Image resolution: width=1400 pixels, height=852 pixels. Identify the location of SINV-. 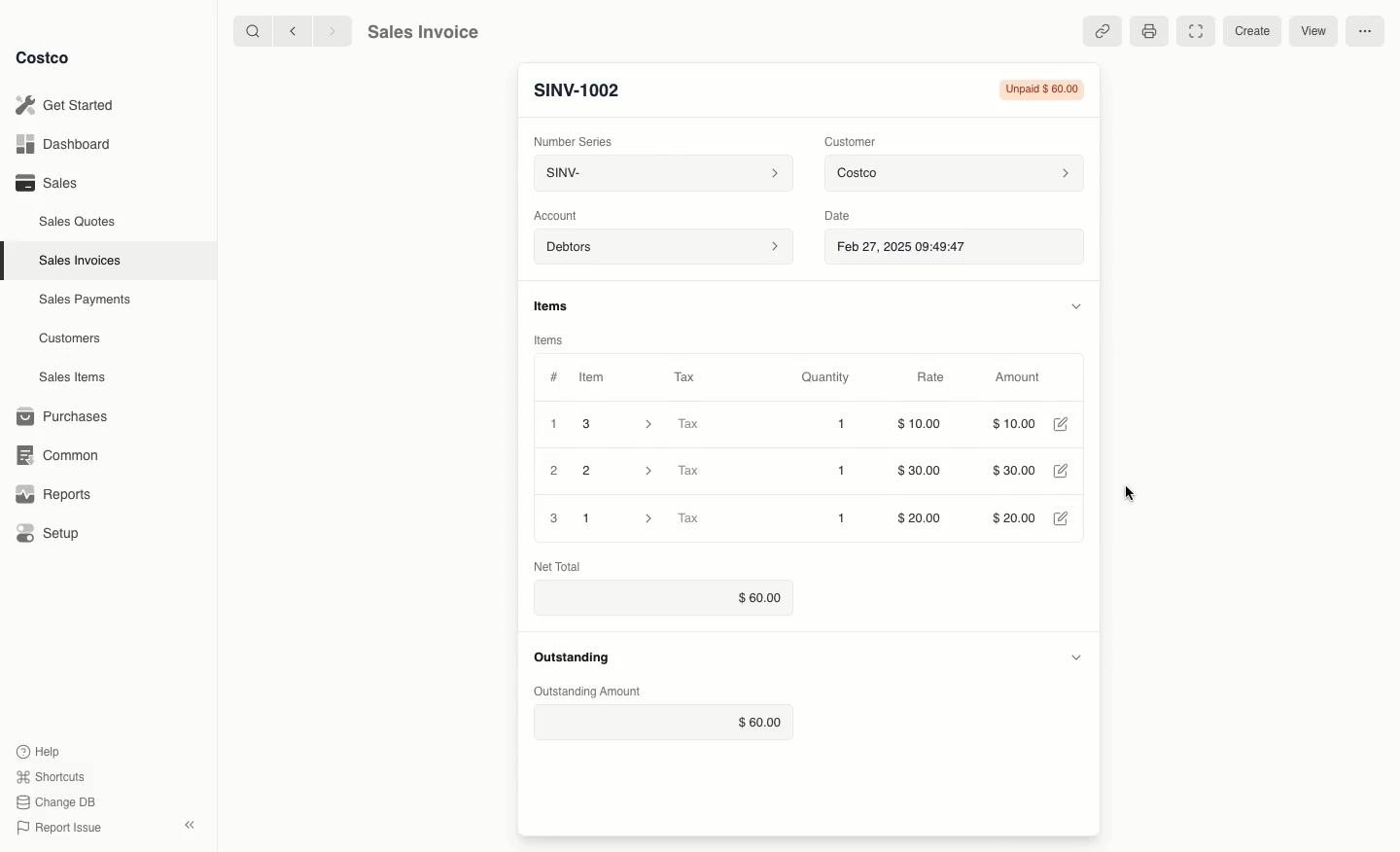
(657, 175).